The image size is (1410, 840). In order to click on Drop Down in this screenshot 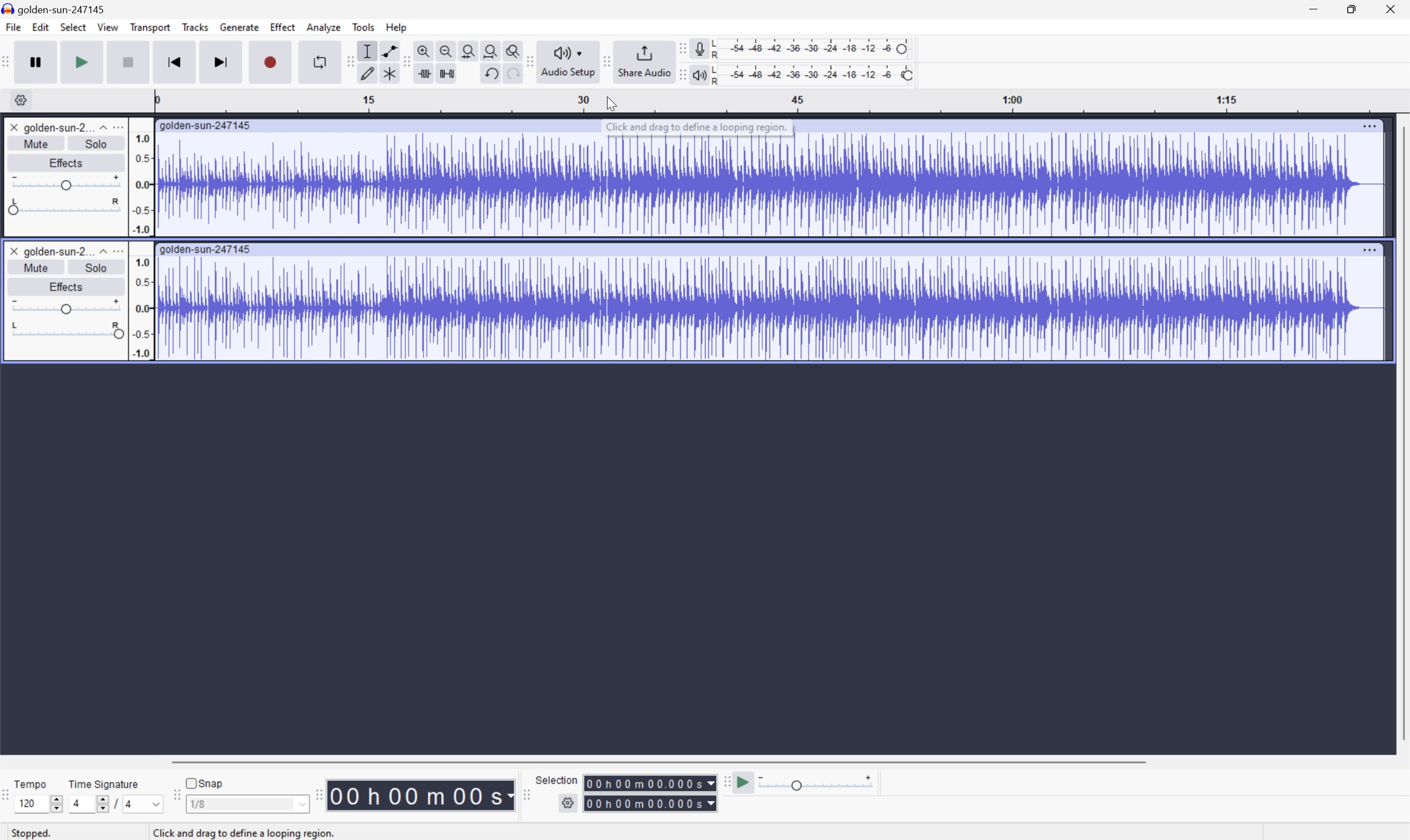, I will do `click(100, 253)`.